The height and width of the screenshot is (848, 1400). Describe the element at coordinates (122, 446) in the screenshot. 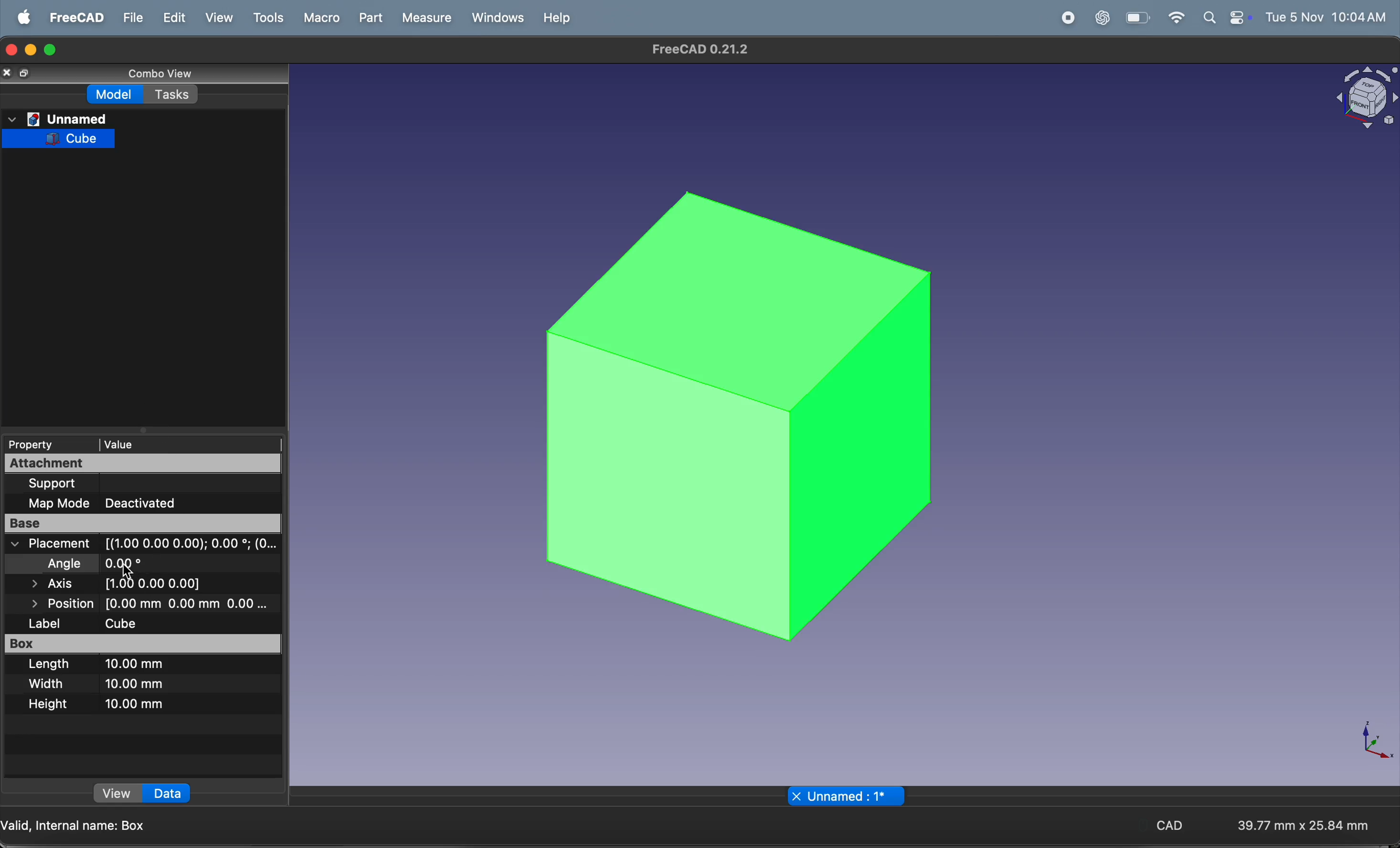

I see `| Value` at that location.